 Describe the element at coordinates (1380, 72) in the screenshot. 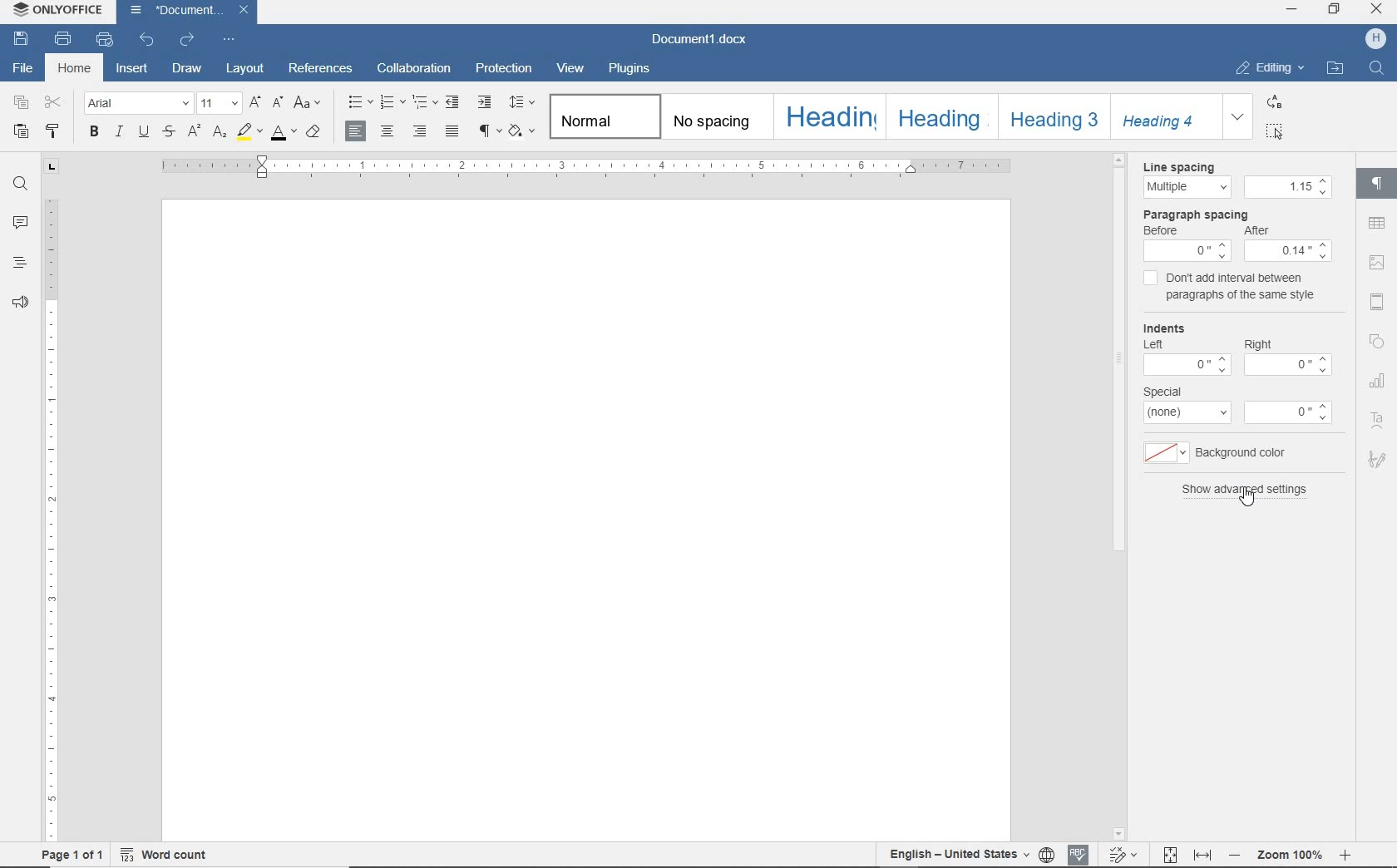

I see `Find` at that location.